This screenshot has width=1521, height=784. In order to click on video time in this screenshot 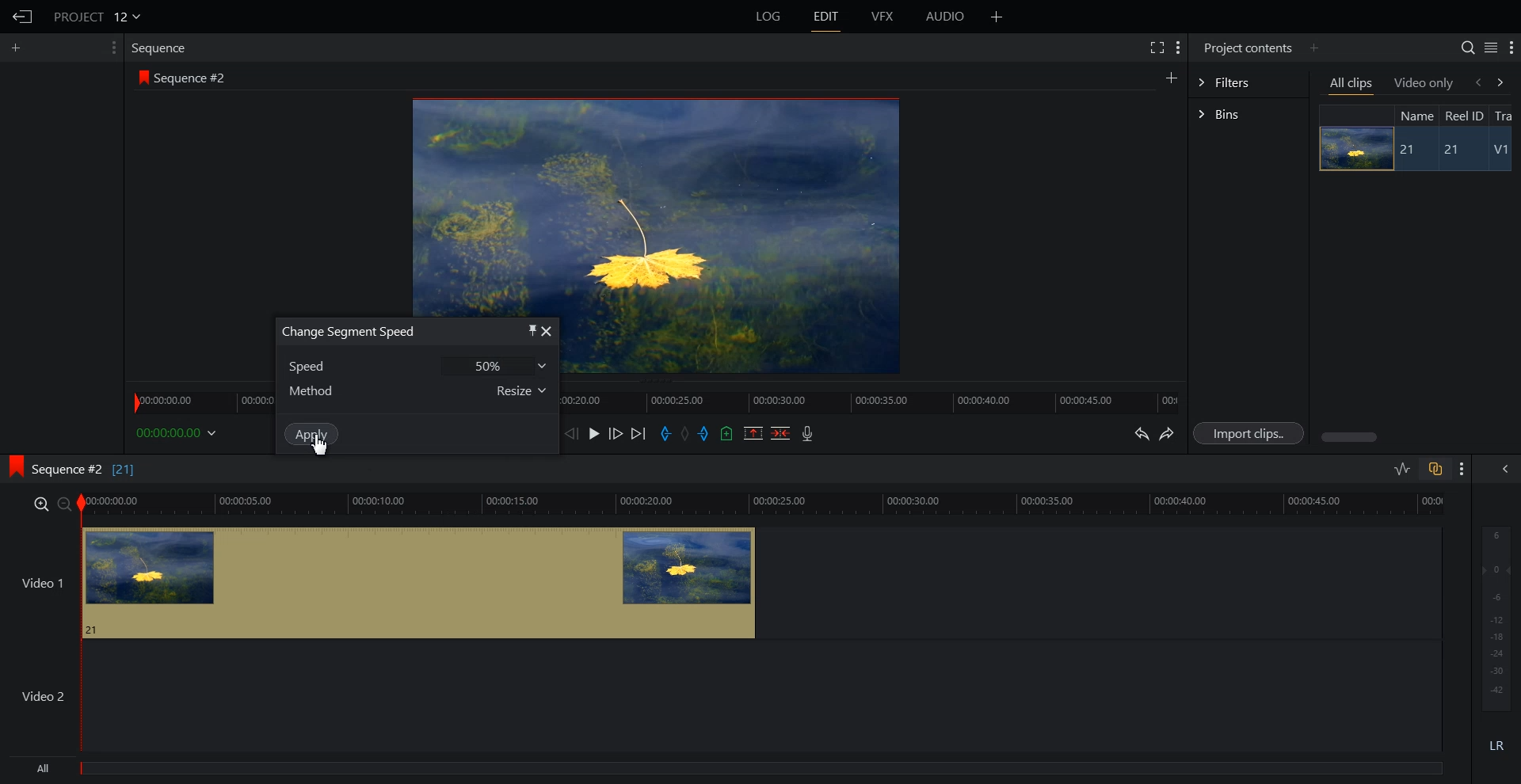, I will do `click(765, 502)`.